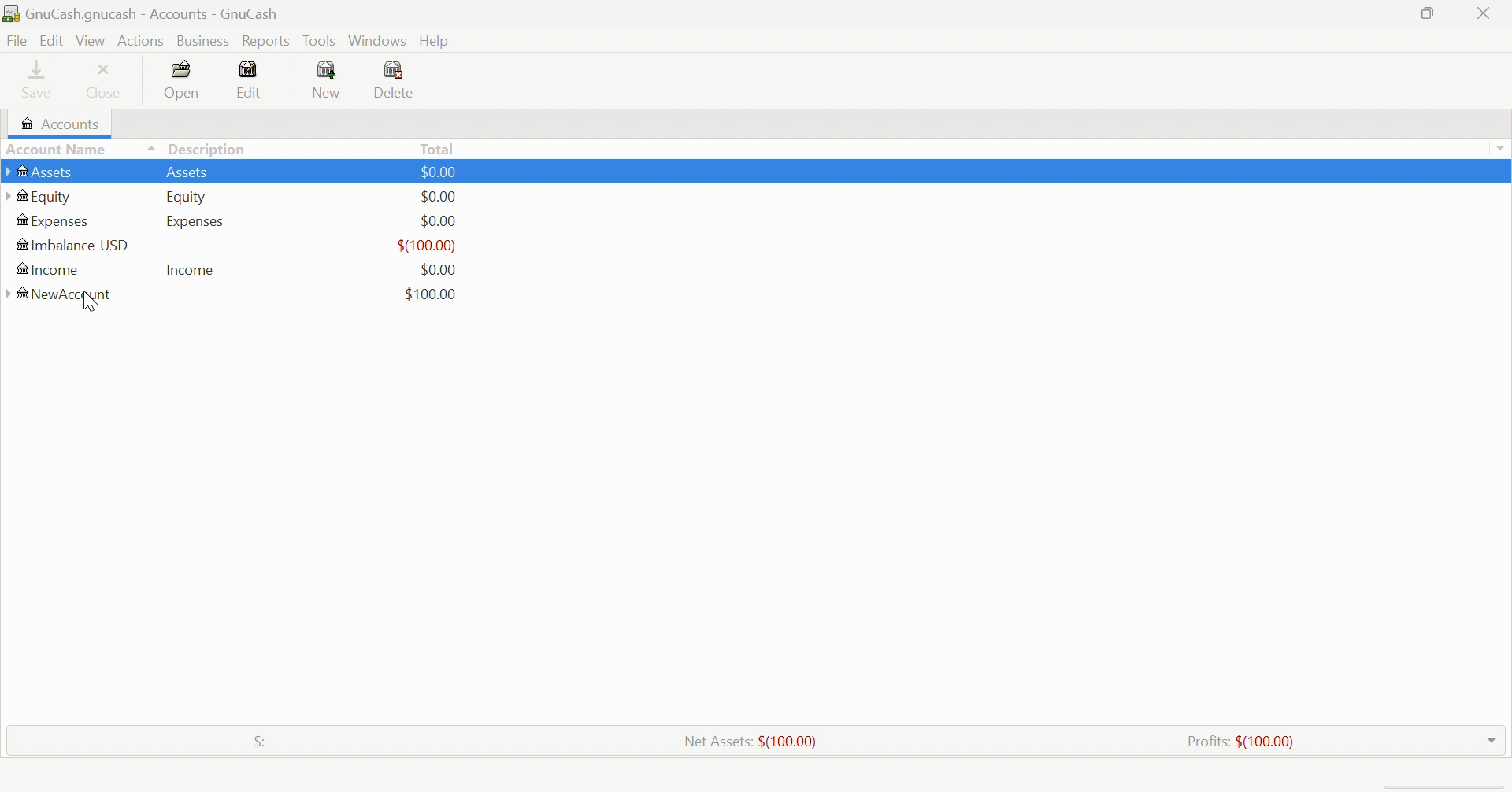 The width and height of the screenshot is (1512, 792). Describe the element at coordinates (82, 151) in the screenshot. I see `Account Name` at that location.